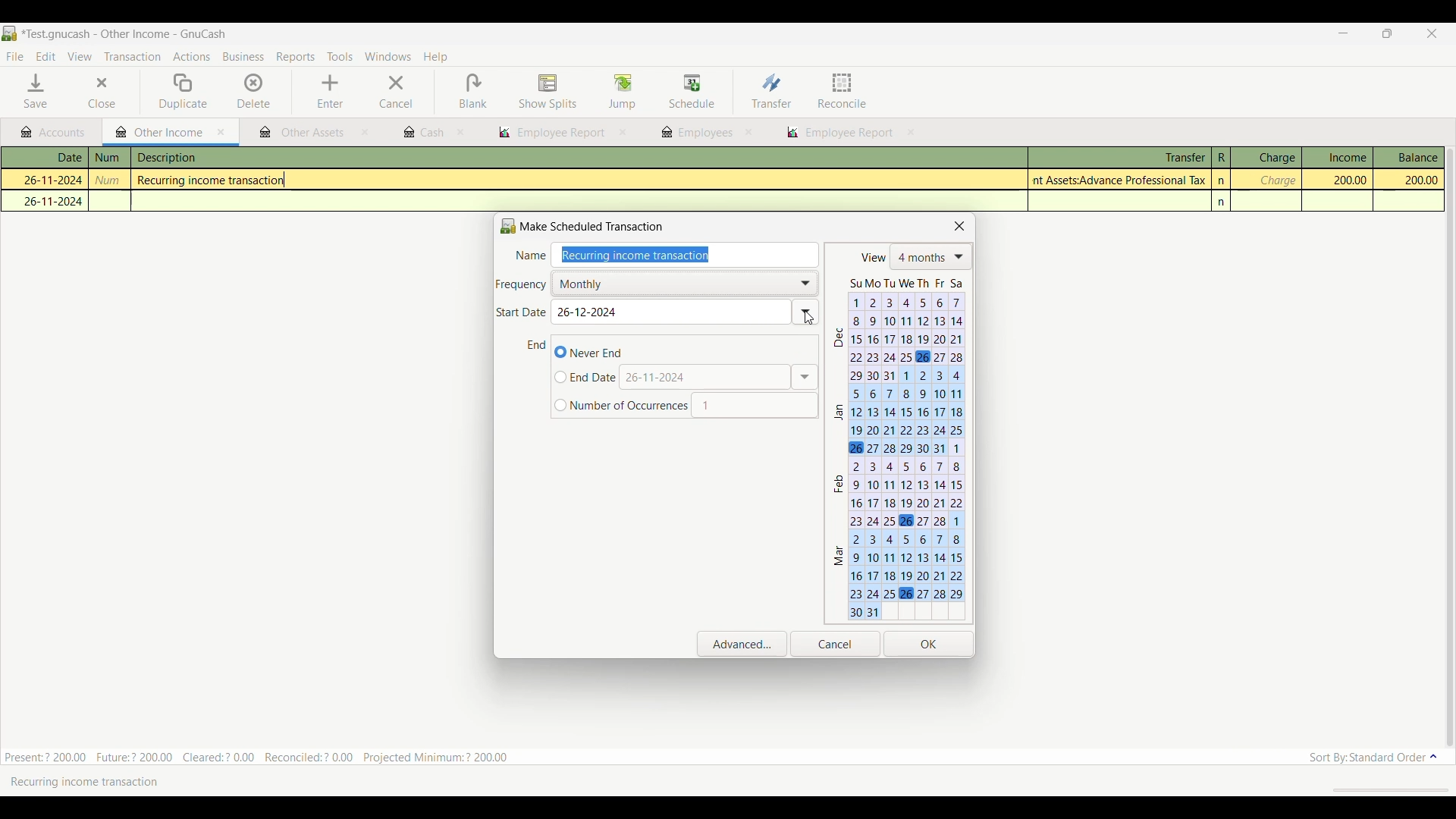 The height and width of the screenshot is (819, 1456). I want to click on Actions menu, so click(191, 58).